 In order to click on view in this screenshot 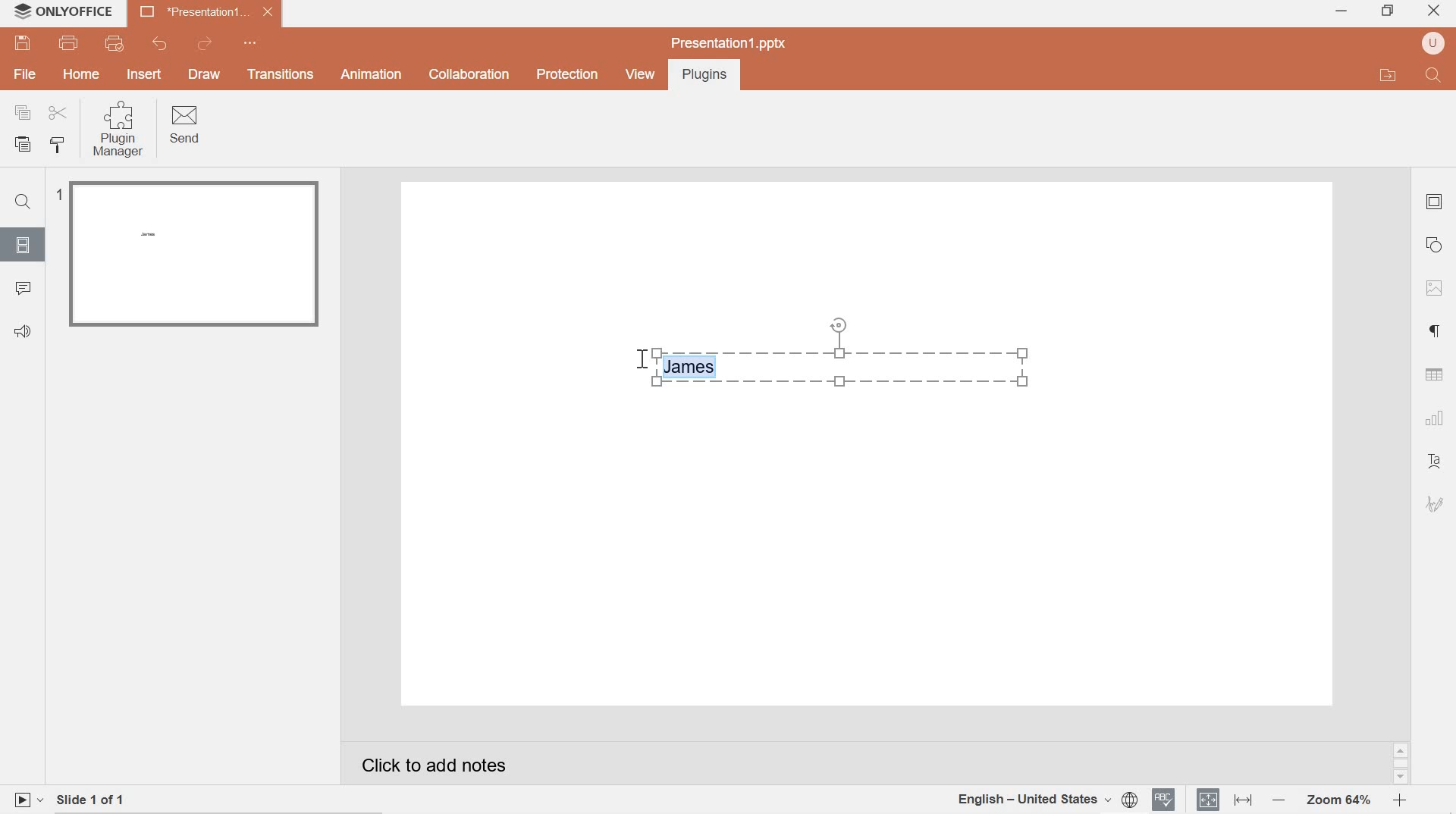, I will do `click(639, 74)`.